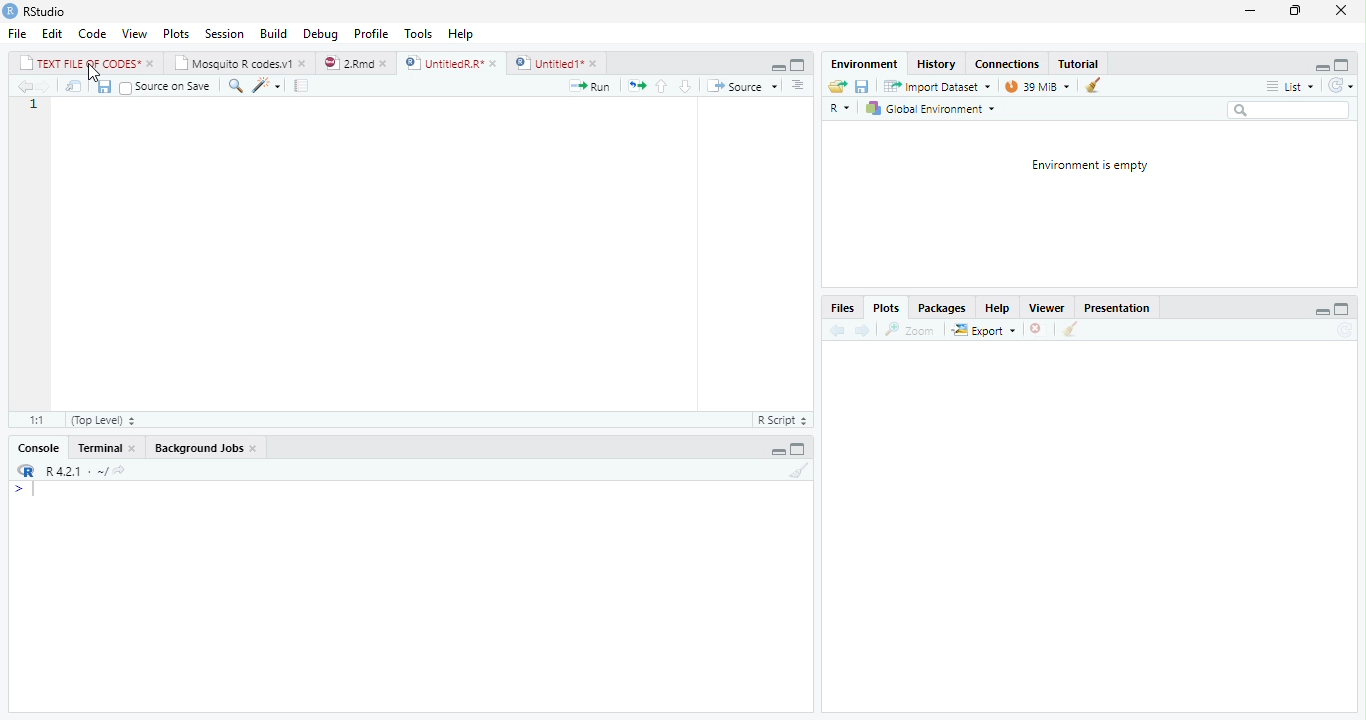 This screenshot has width=1366, height=720. I want to click on Maximize, so click(1341, 307).